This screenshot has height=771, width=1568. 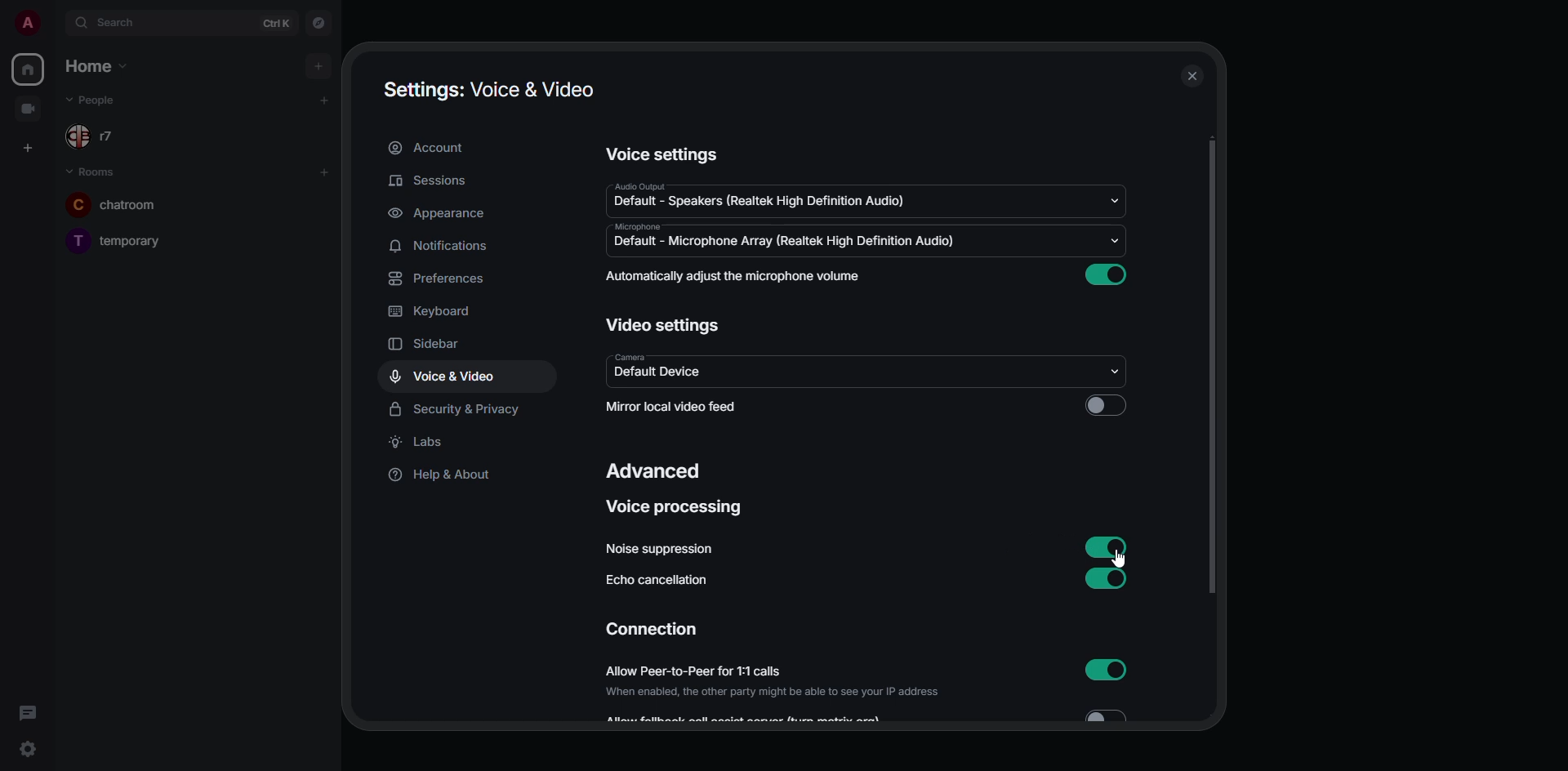 I want to click on people, so click(x=104, y=138).